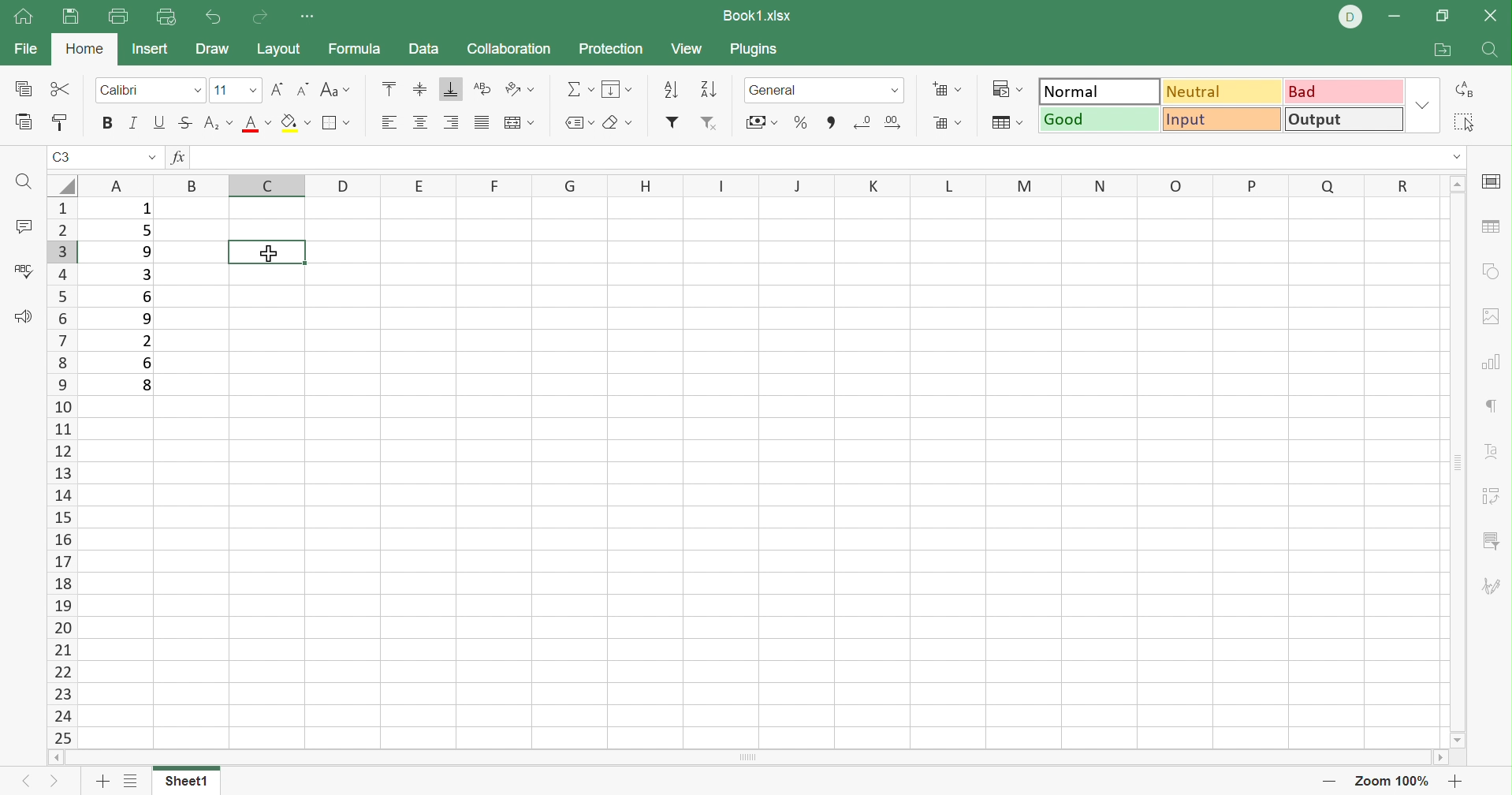  Describe the element at coordinates (762, 121) in the screenshot. I see `Accounting style` at that location.